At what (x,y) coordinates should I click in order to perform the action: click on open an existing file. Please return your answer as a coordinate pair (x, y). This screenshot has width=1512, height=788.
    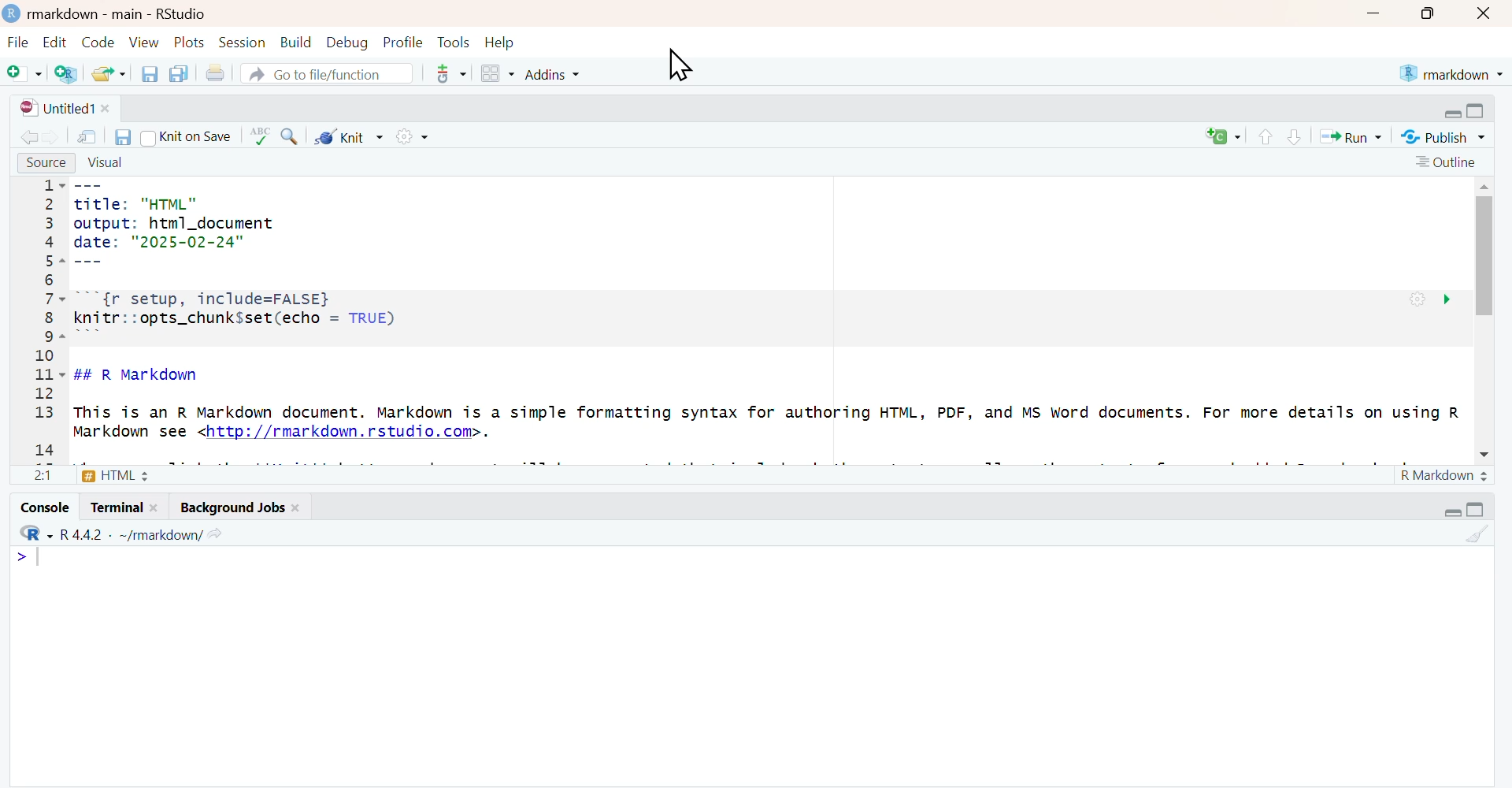
    Looking at the image, I should click on (108, 72).